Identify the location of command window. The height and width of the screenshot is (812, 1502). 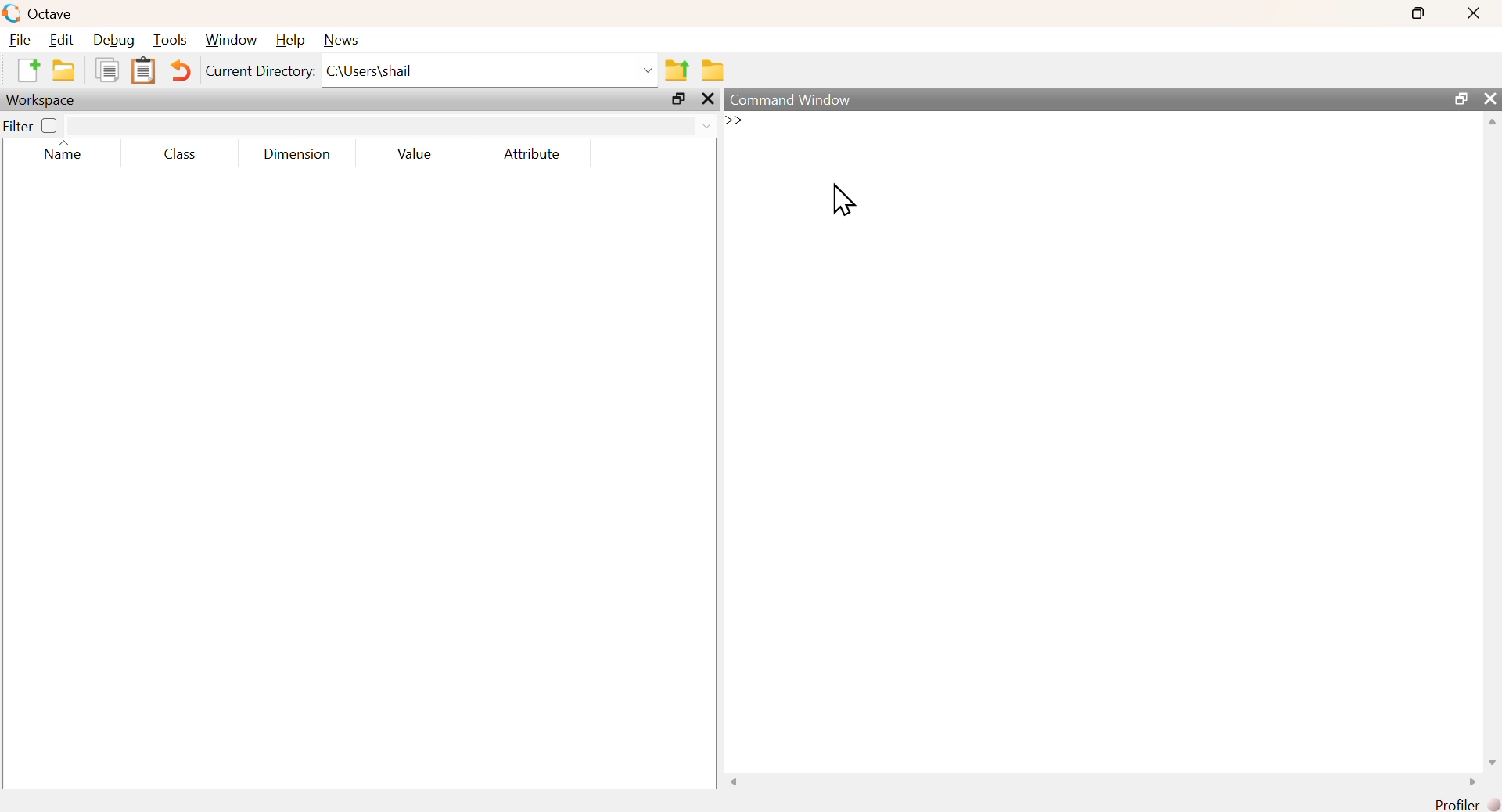
(792, 99).